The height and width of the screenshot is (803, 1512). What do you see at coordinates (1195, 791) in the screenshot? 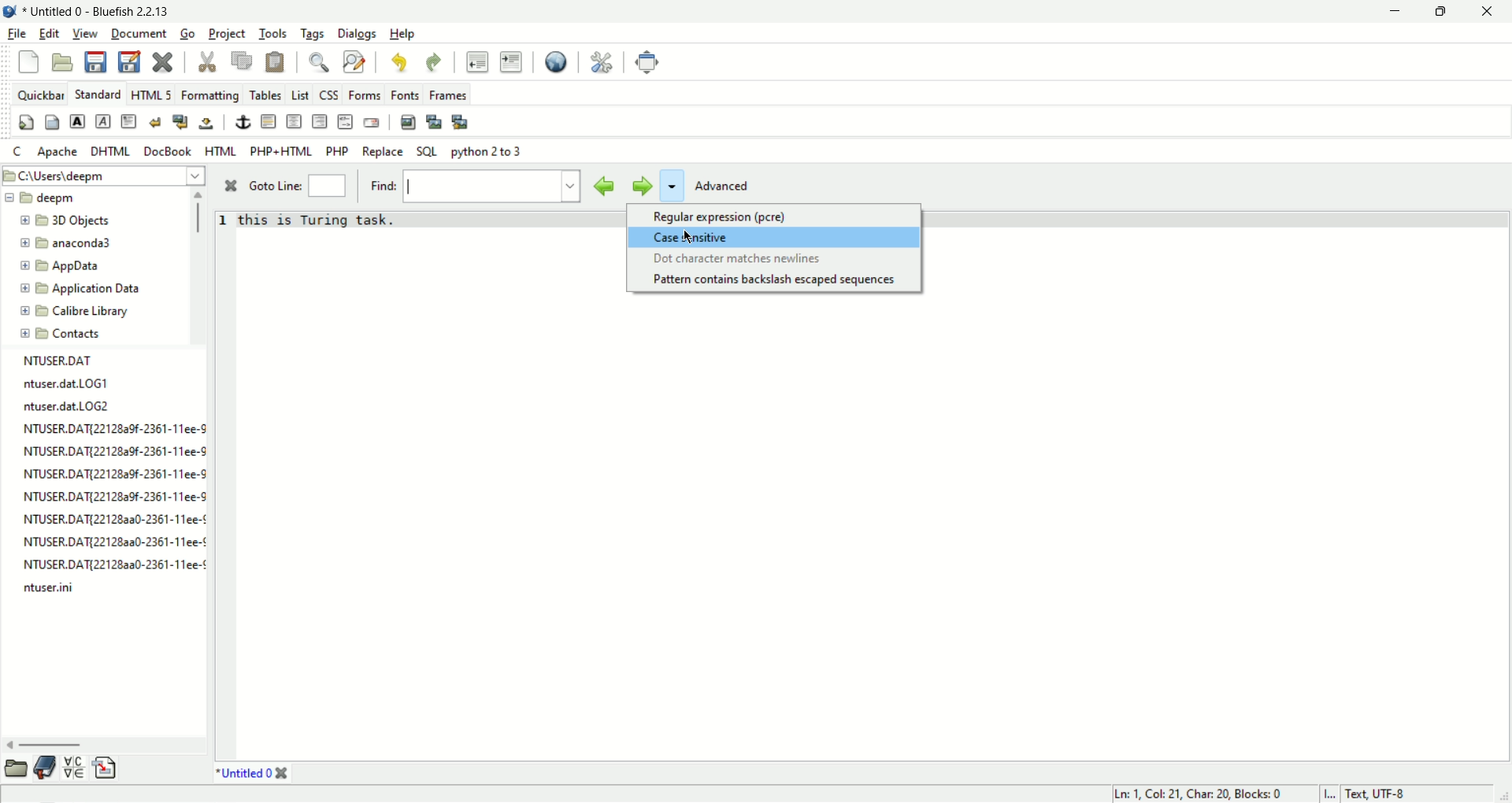
I see `Ln: 1, Col: 21, Char: 20, Blocks: 0` at bounding box center [1195, 791].